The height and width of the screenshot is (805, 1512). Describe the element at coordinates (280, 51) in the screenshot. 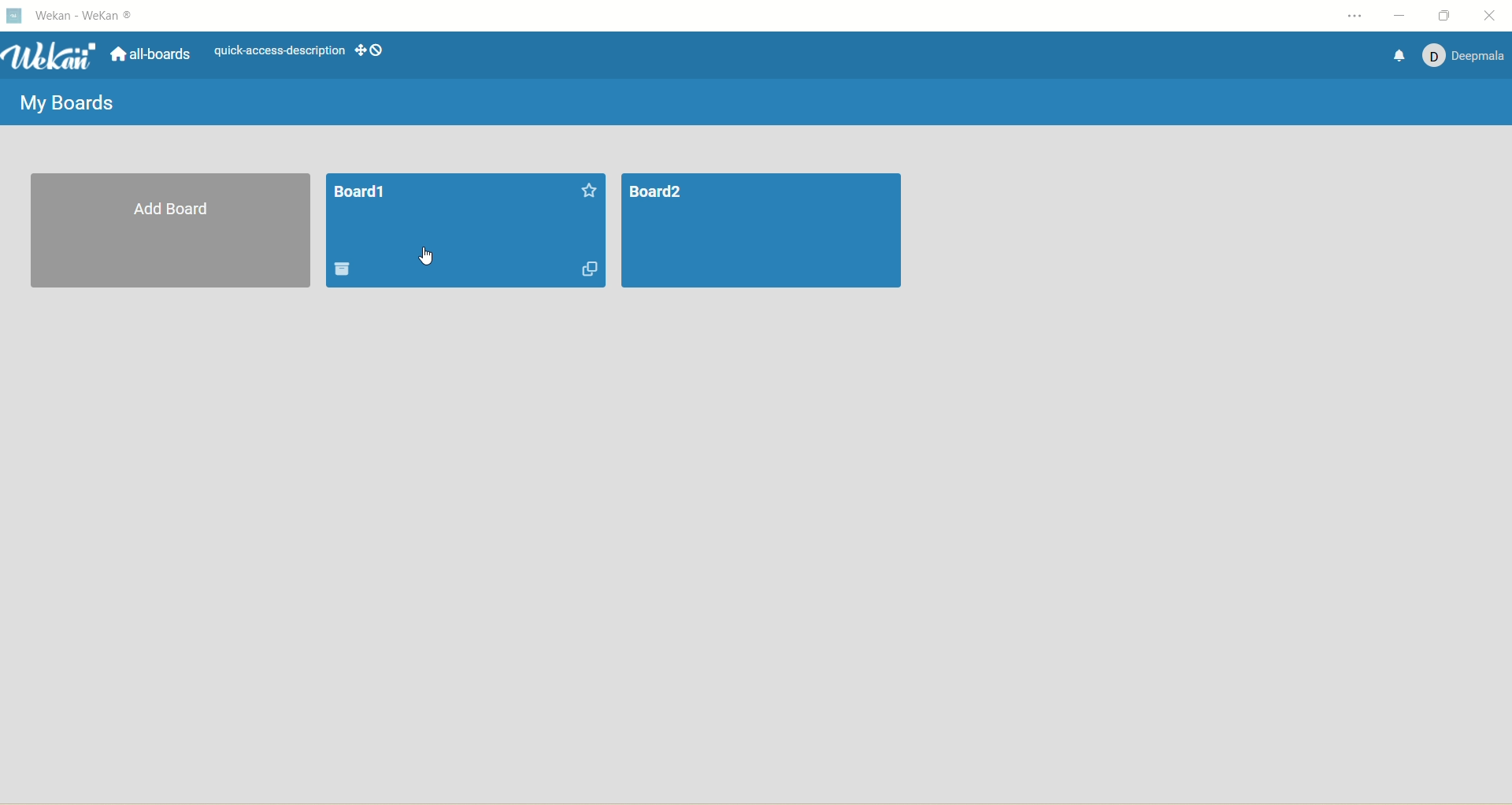

I see `text` at that location.